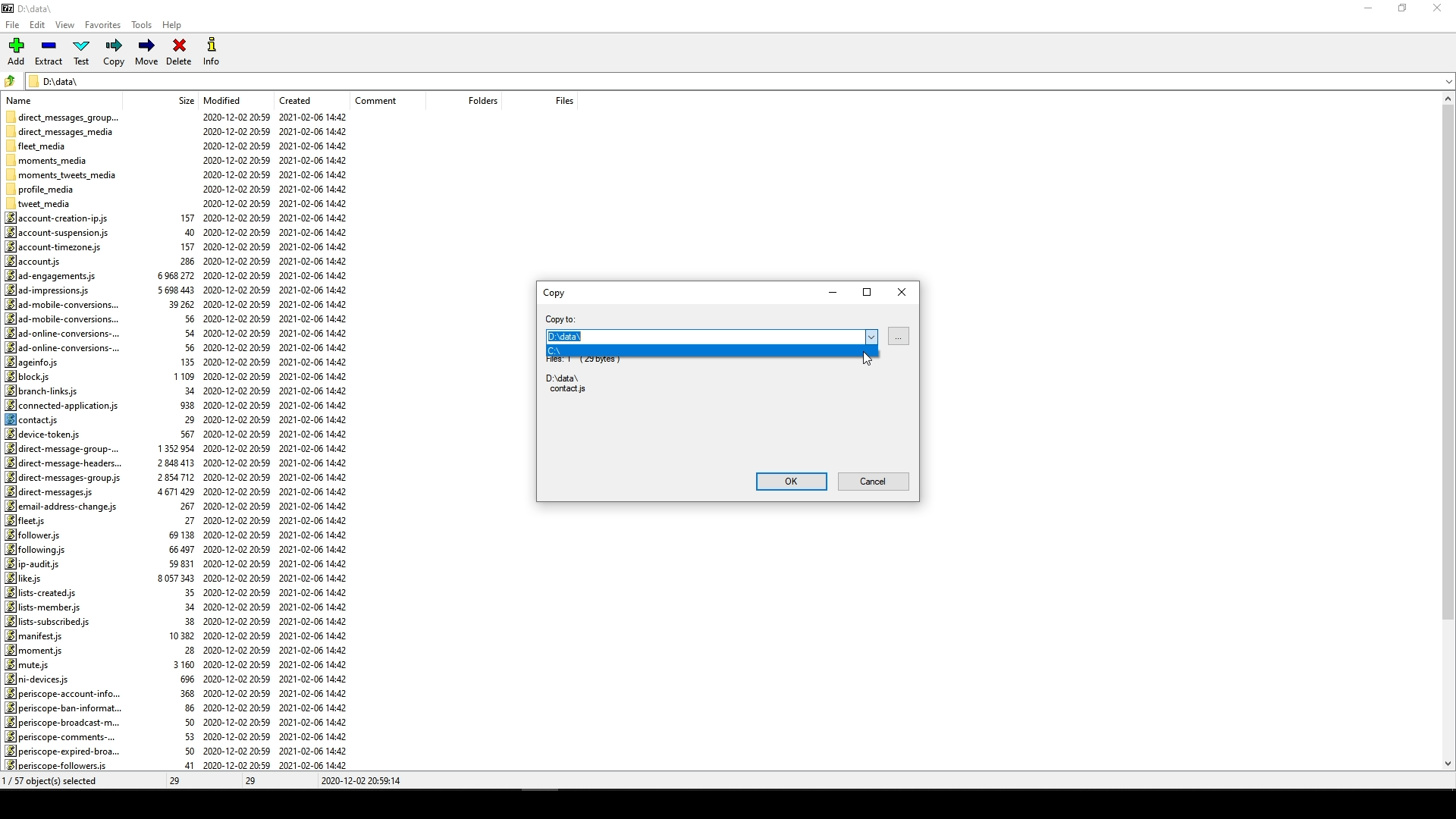 This screenshot has height=819, width=1456. I want to click on 2020-12-02 20:59:14, so click(364, 782).